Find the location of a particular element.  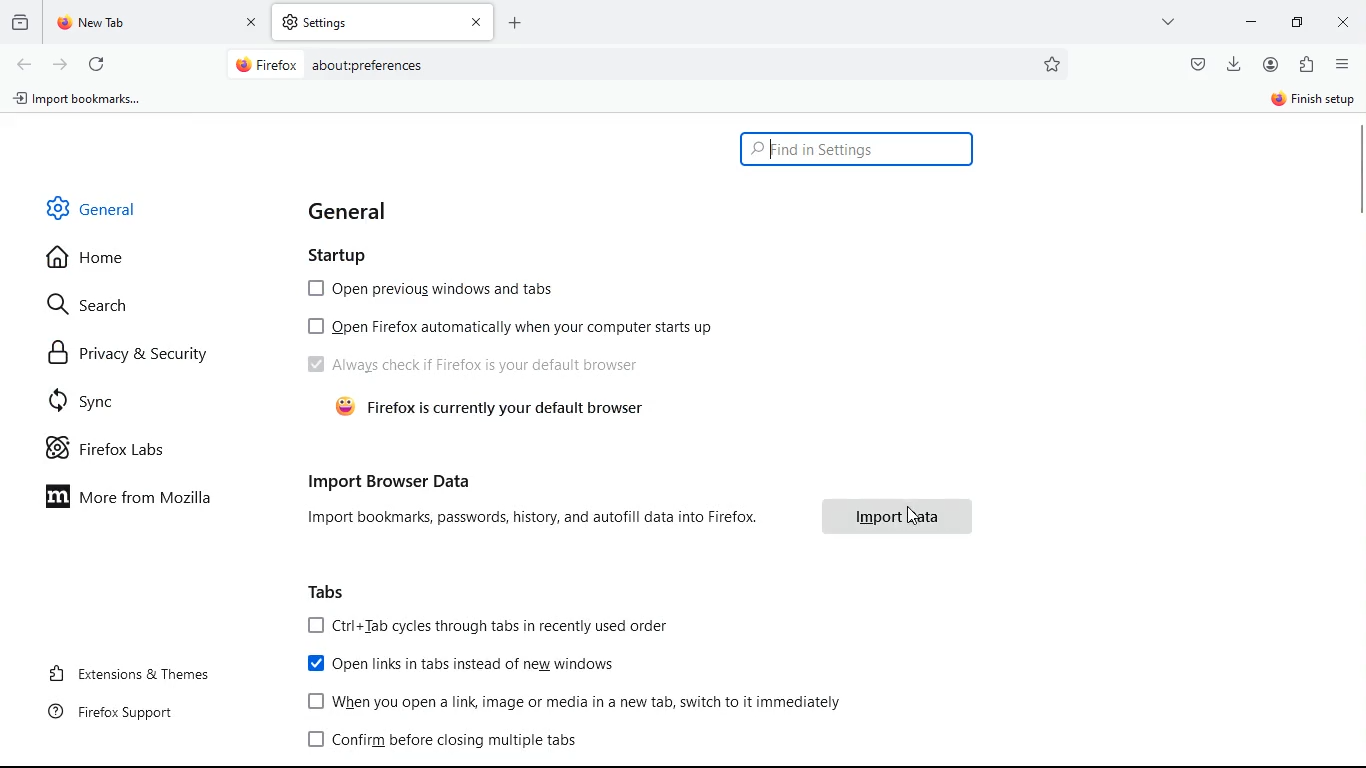

download is located at coordinates (1235, 64).